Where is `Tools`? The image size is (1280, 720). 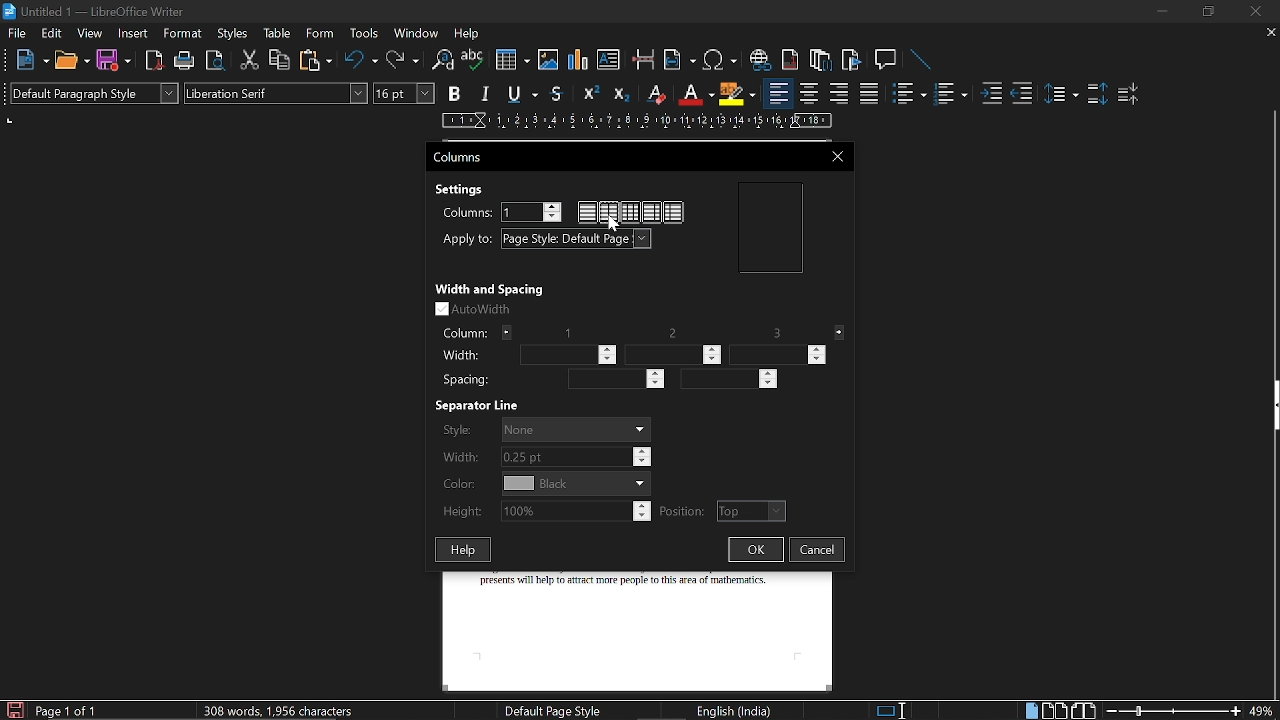 Tools is located at coordinates (364, 33).